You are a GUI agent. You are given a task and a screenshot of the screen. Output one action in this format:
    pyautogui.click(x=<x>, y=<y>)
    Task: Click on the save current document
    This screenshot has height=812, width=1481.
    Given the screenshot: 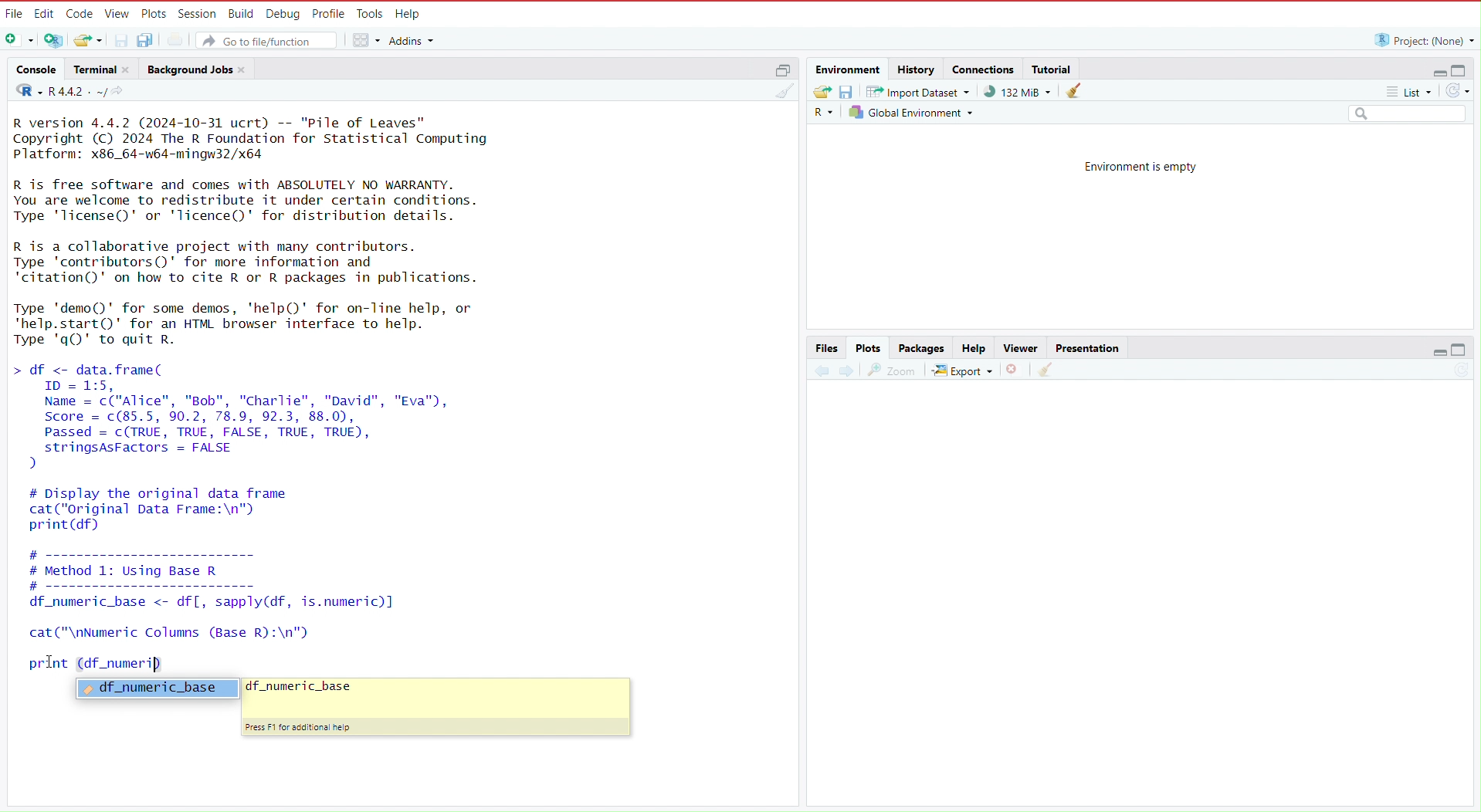 What is the action you would take?
    pyautogui.click(x=121, y=41)
    